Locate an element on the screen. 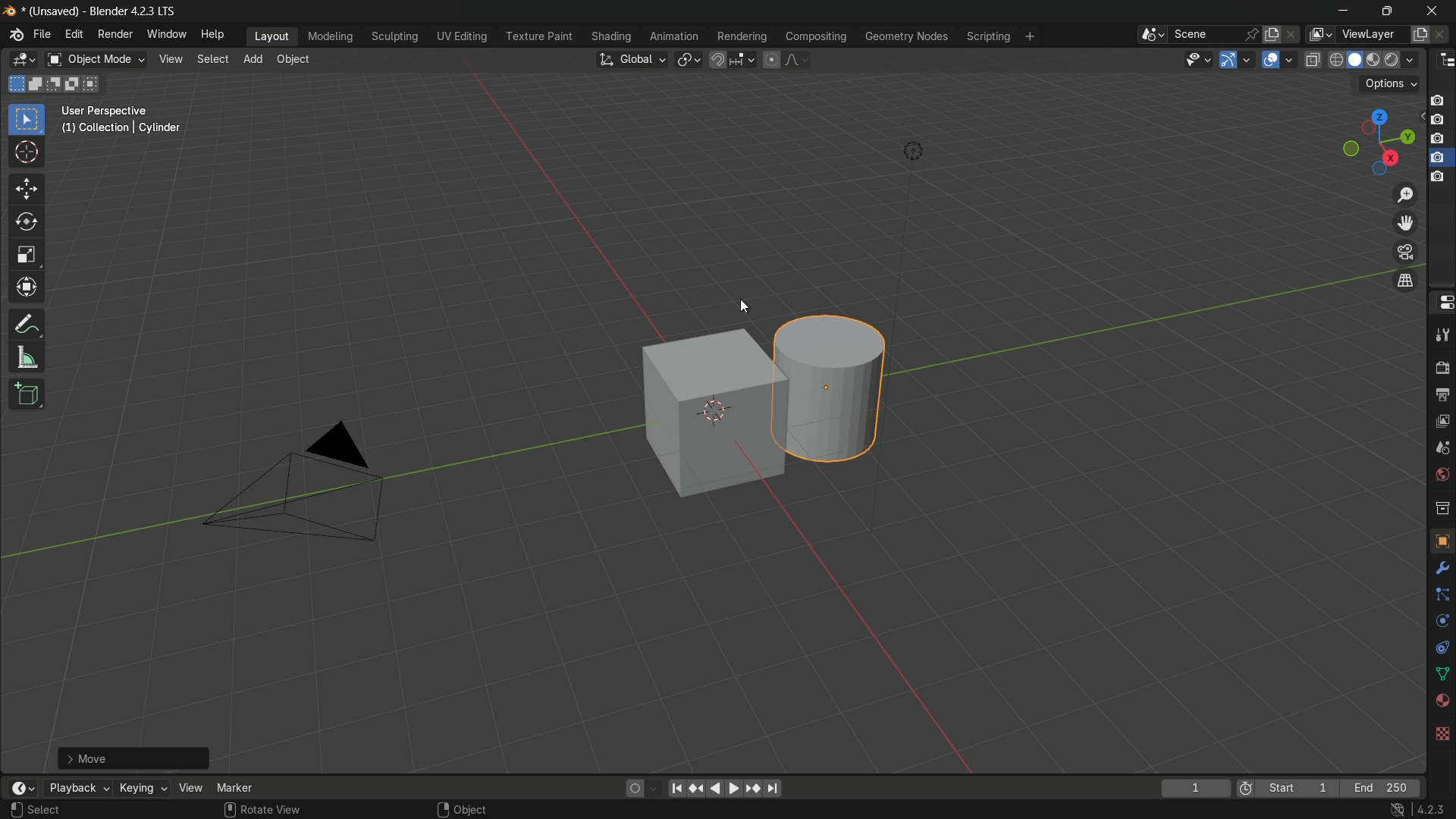 Image resolution: width=1456 pixels, height=819 pixels. move to the beginning is located at coordinates (679, 789).